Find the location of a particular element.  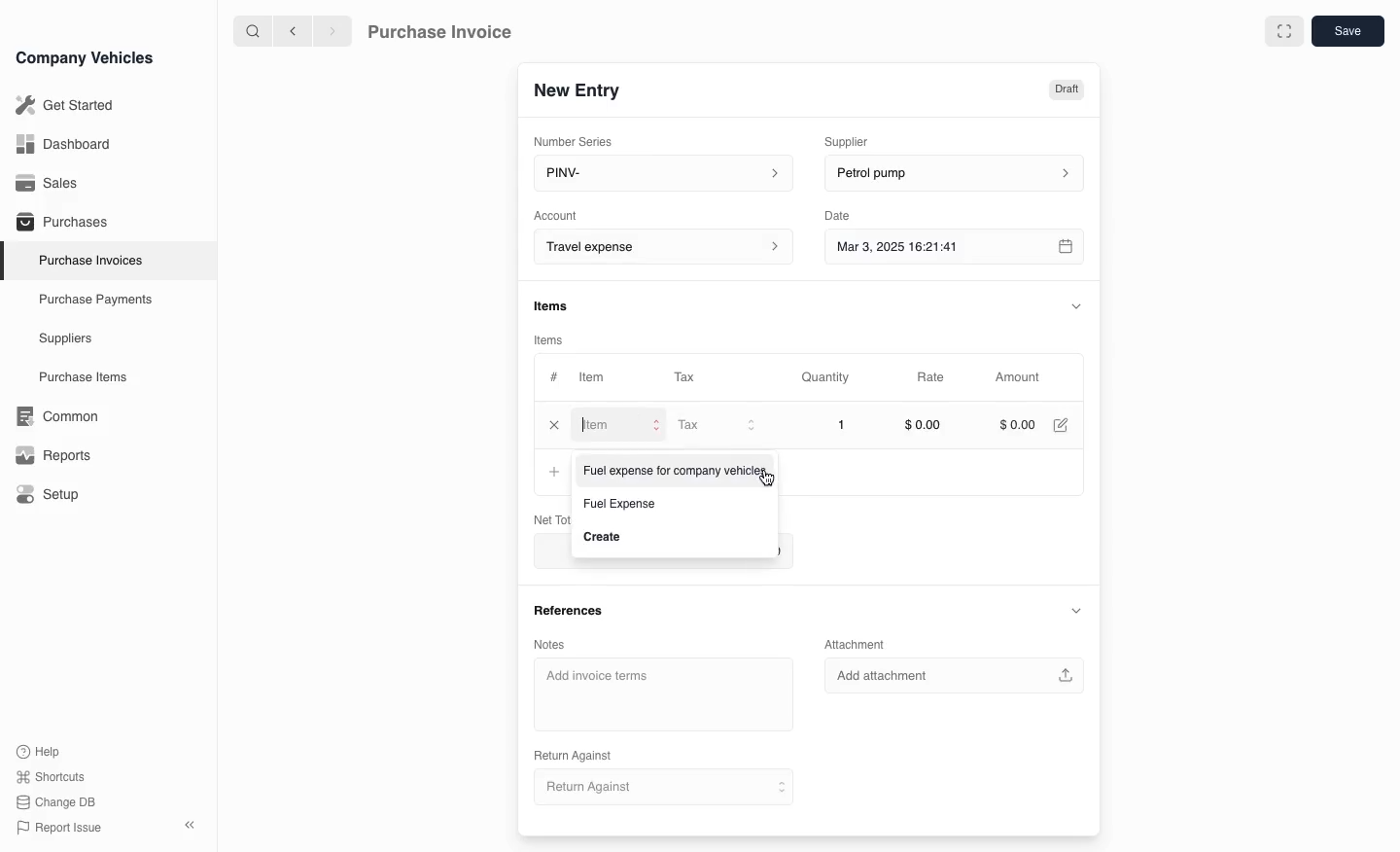

Report issue is located at coordinates (62, 829).